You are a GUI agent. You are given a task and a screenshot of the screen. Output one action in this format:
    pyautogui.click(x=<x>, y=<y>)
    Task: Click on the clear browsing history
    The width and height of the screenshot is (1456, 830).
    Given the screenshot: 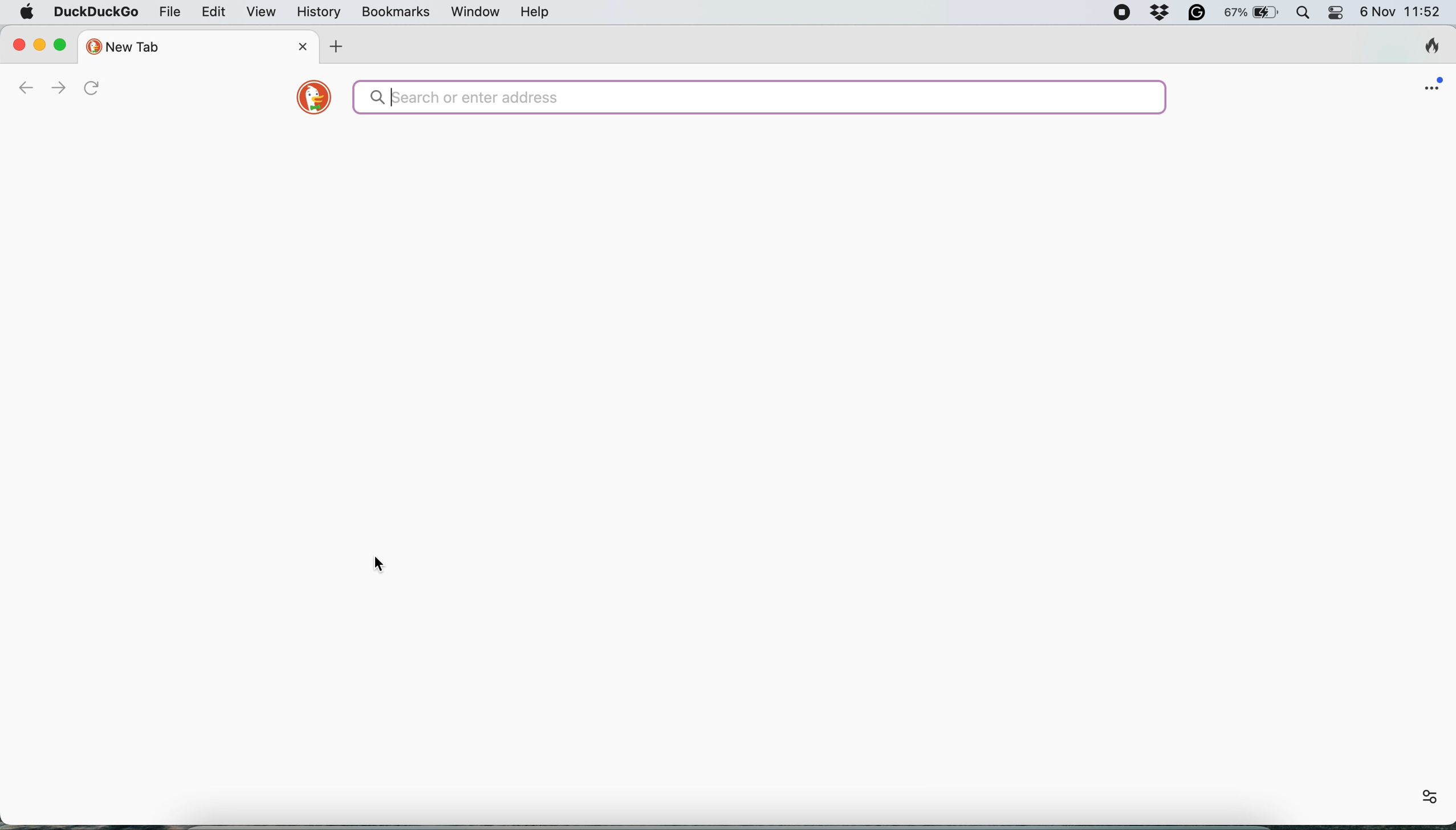 What is the action you would take?
    pyautogui.click(x=1425, y=46)
    